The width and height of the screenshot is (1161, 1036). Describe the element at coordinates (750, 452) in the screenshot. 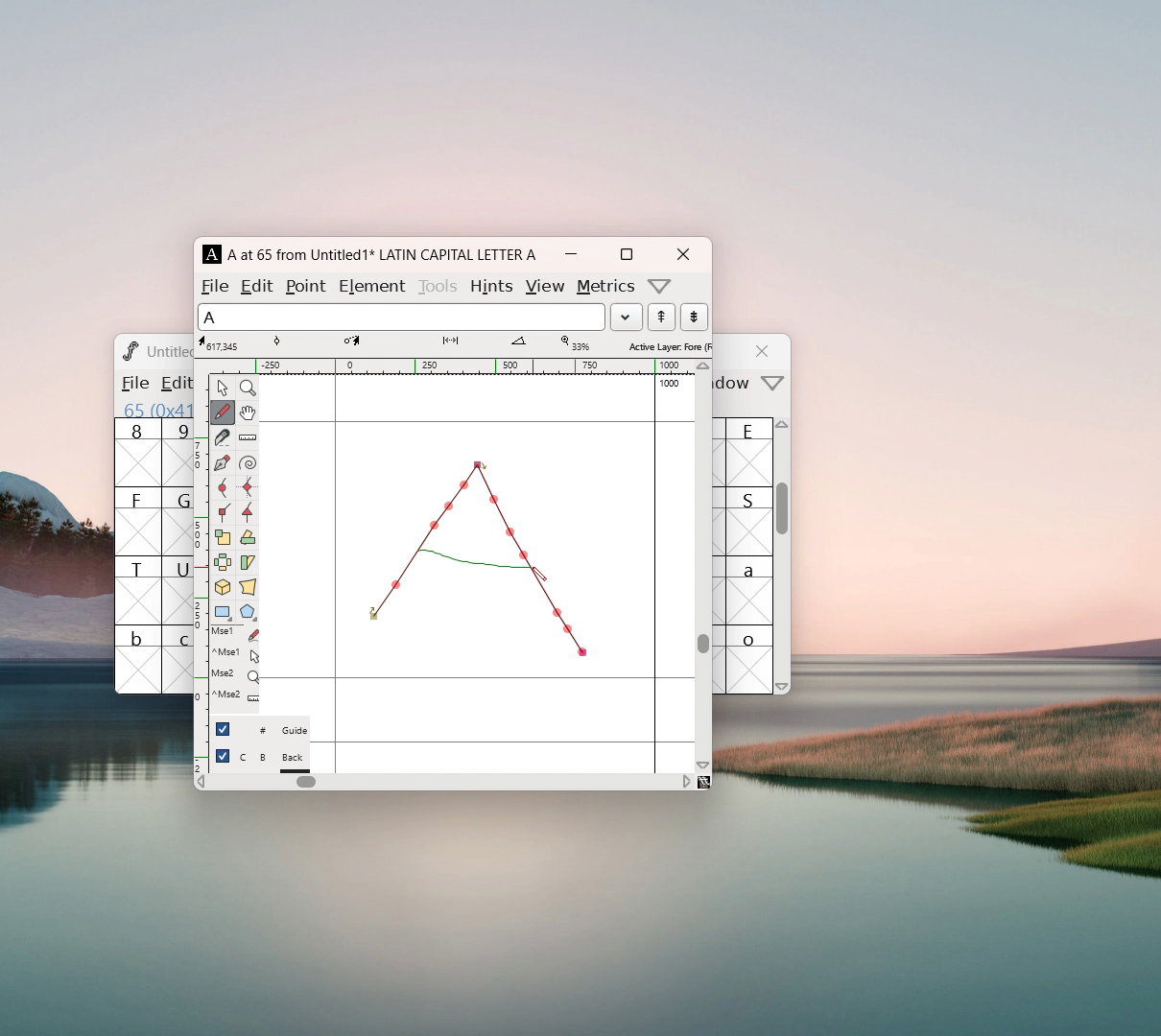

I see `E` at that location.